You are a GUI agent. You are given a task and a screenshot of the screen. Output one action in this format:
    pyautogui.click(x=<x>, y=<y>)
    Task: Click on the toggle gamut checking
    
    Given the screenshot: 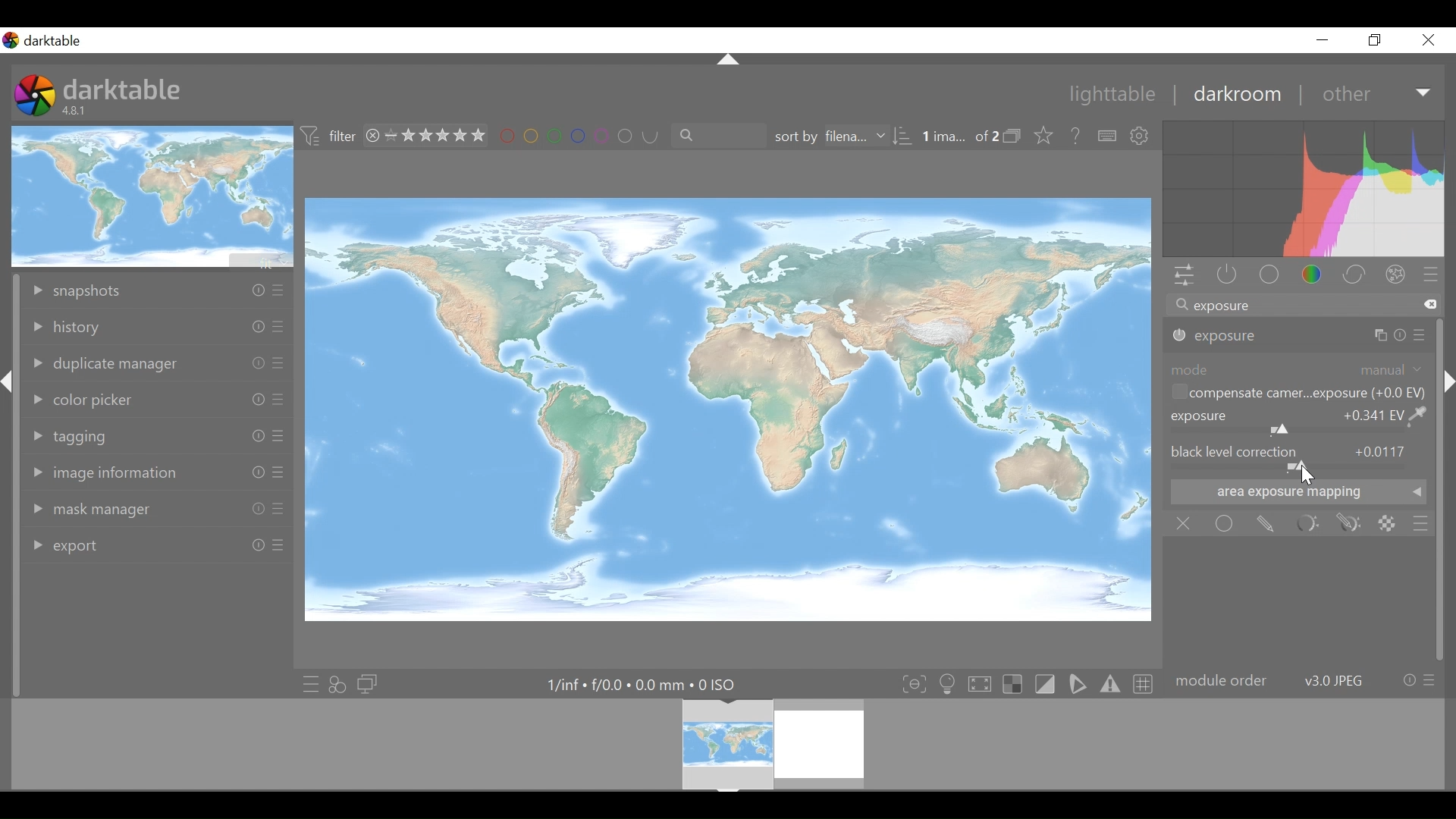 What is the action you would take?
    pyautogui.click(x=1109, y=686)
    